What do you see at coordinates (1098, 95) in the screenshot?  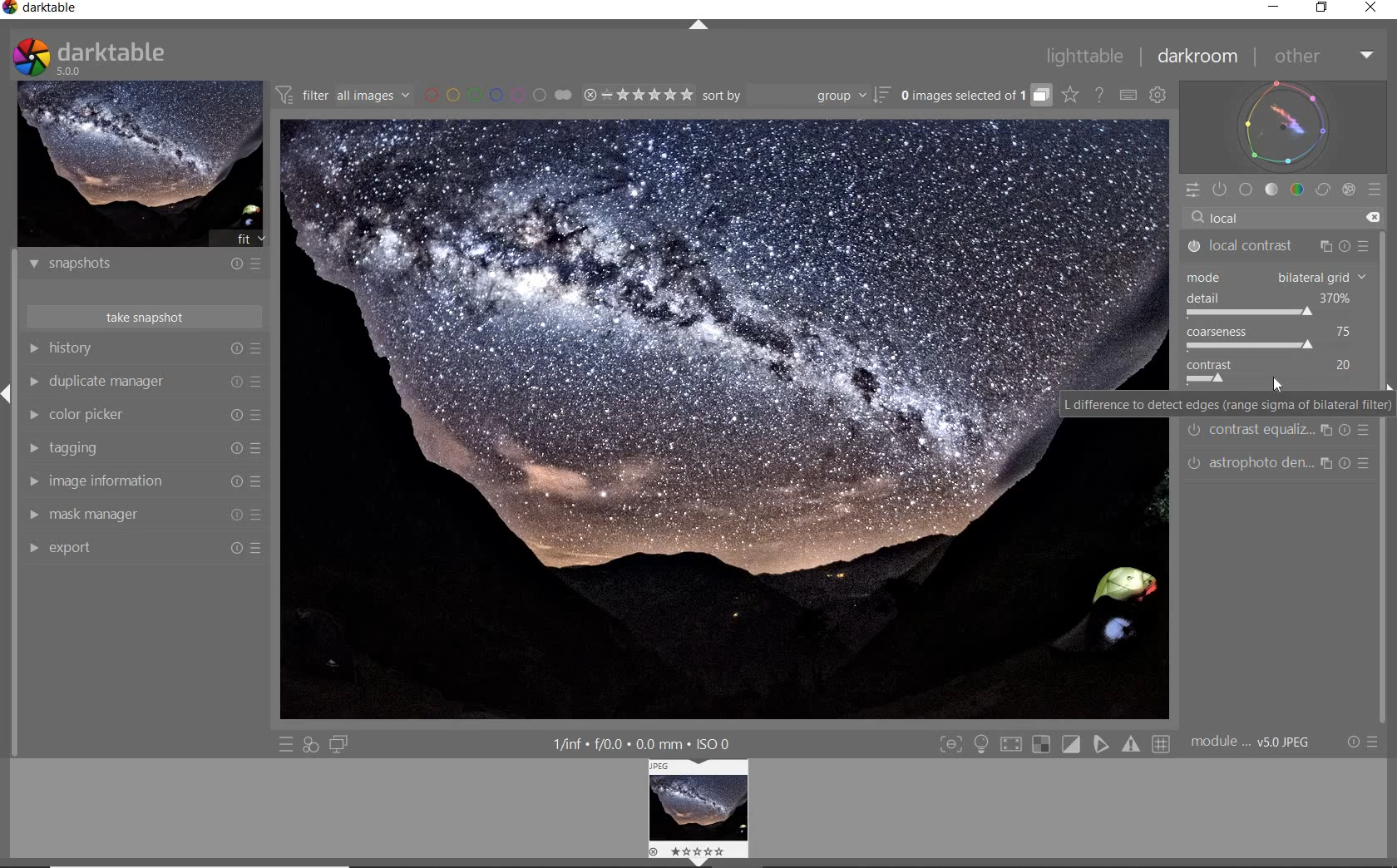 I see `HELP ONLINE` at bounding box center [1098, 95].